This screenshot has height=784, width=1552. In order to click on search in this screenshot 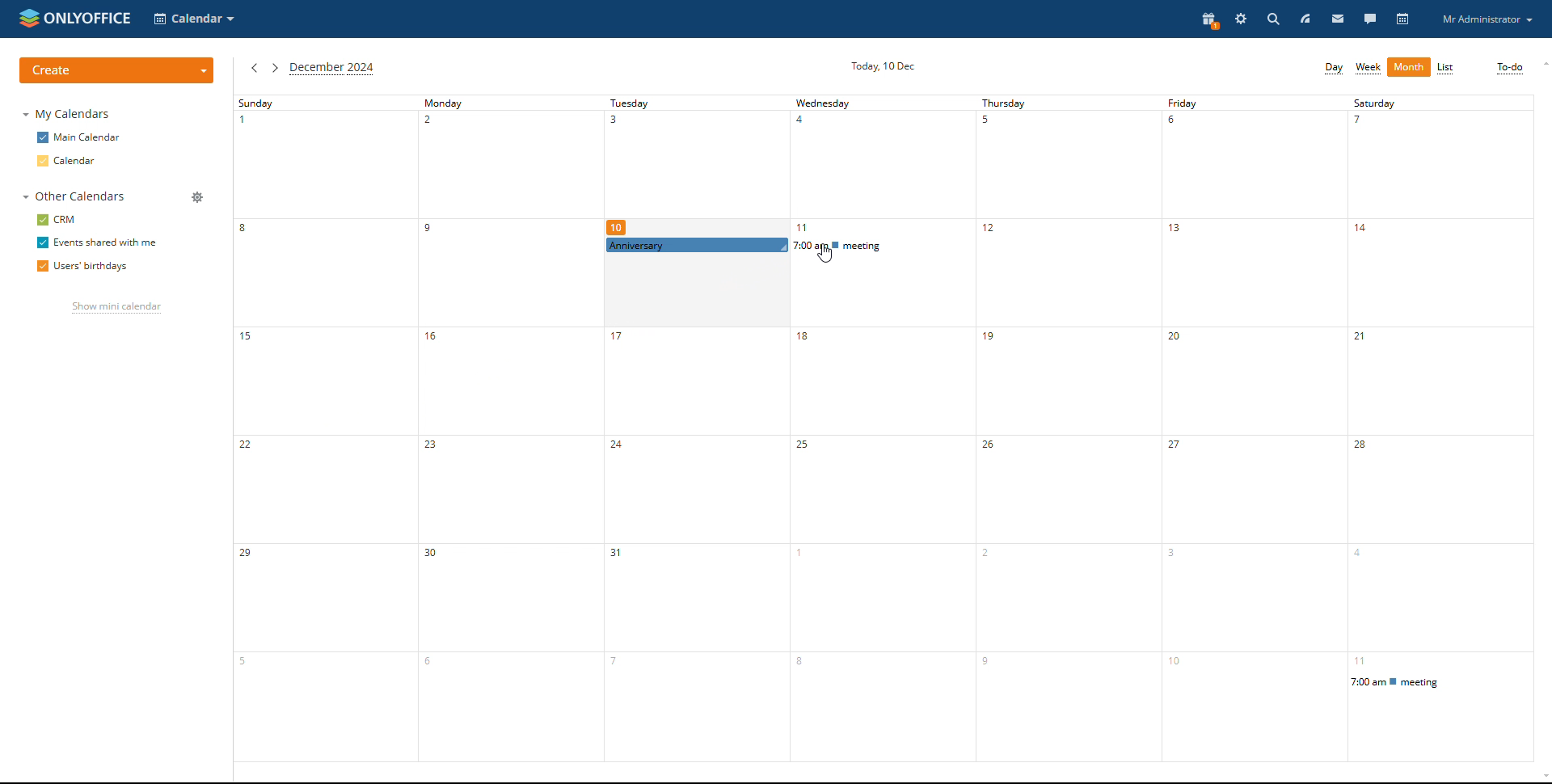, I will do `click(1272, 19)`.